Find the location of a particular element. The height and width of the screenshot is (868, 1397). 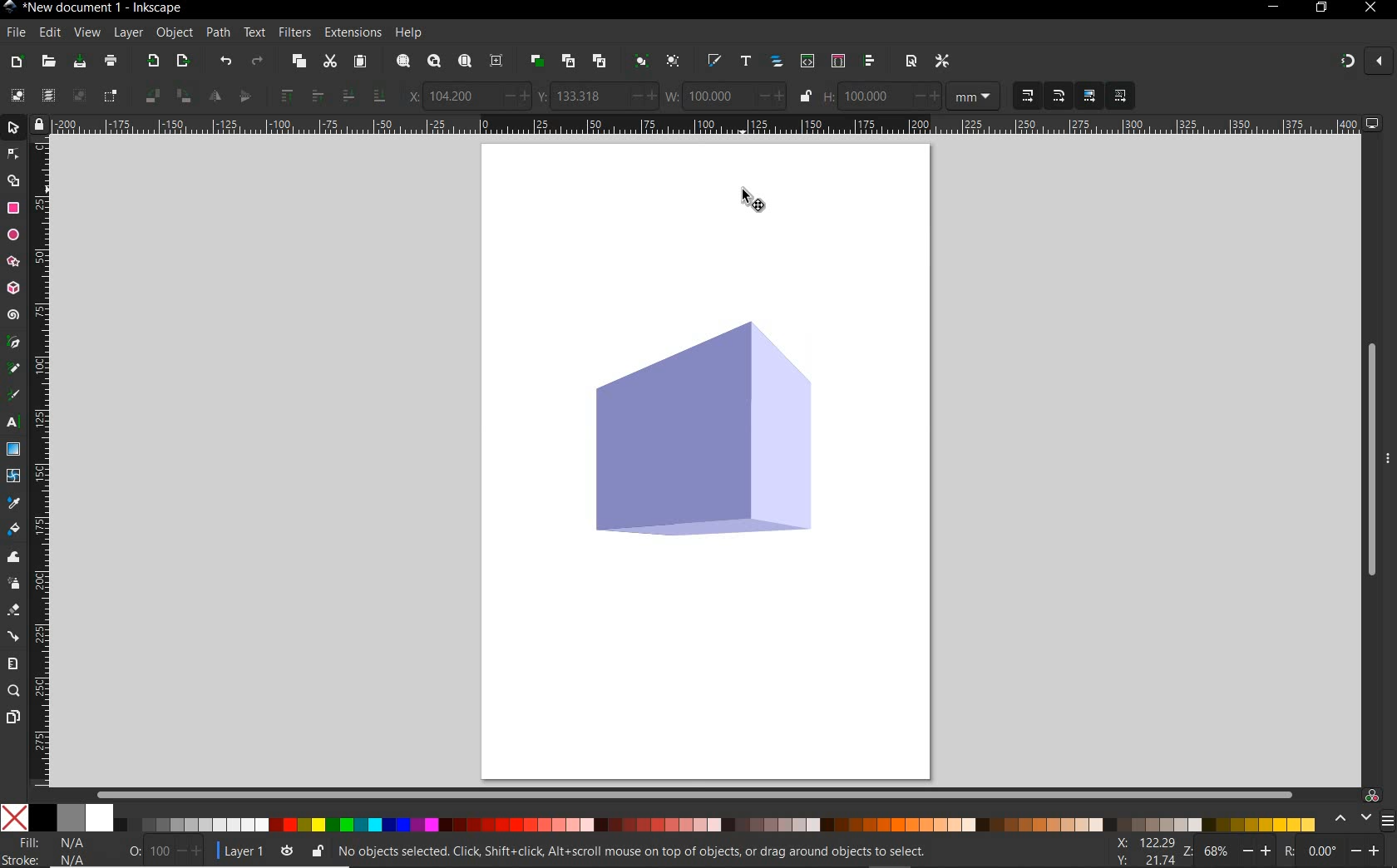

increase/decrease is located at coordinates (641, 96).